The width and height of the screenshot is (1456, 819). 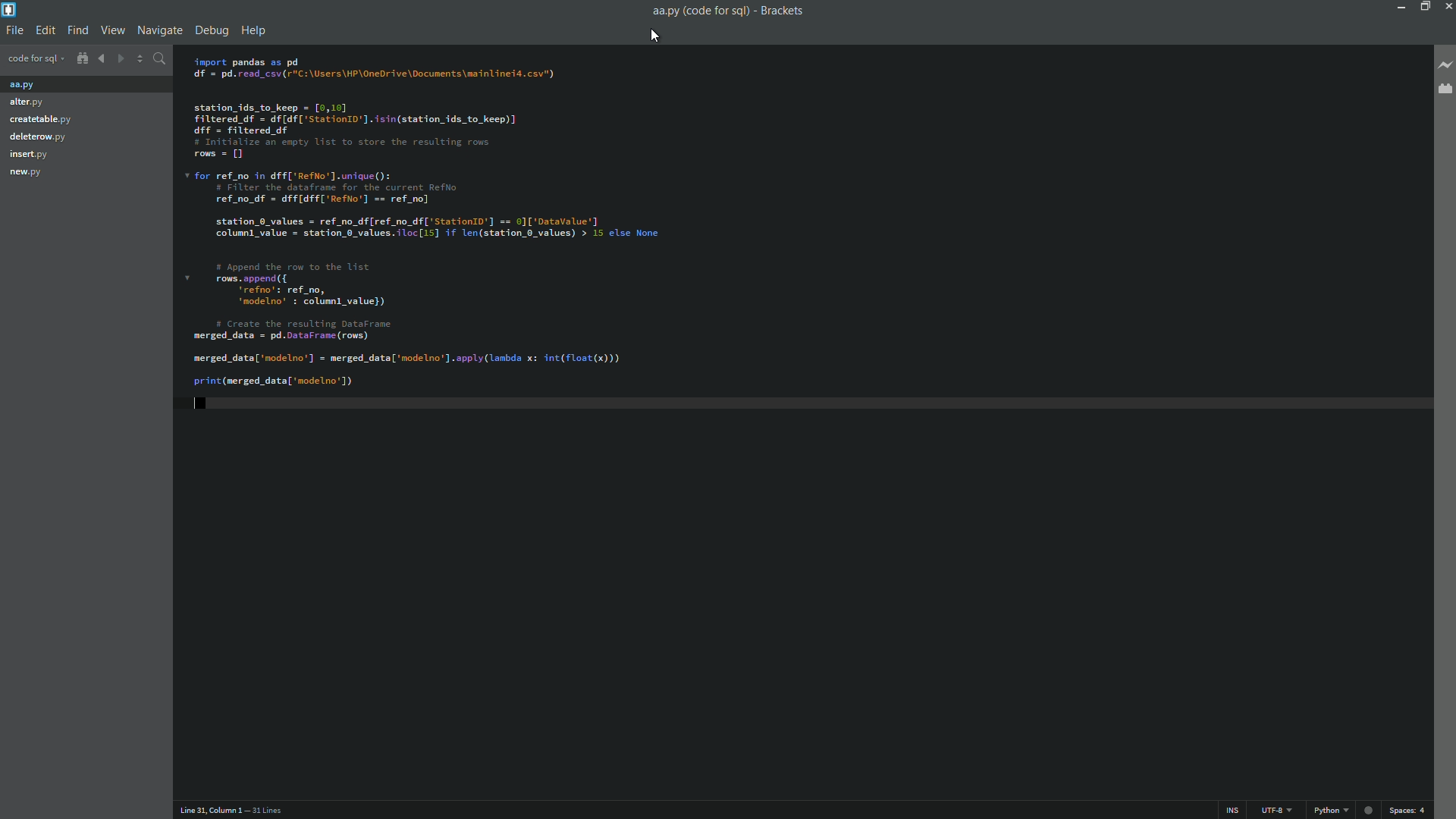 I want to click on edit menu, so click(x=44, y=28).